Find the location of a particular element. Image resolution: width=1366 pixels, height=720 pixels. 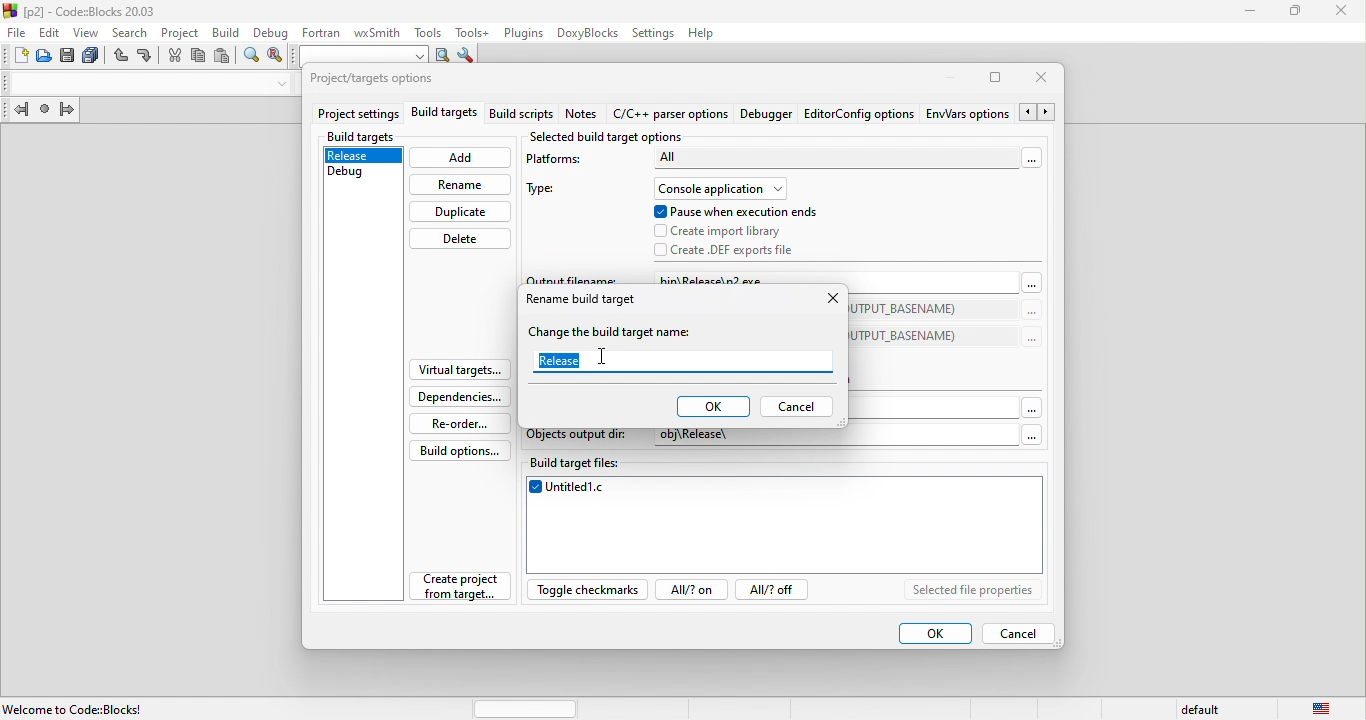

change the build target name is located at coordinates (616, 333).